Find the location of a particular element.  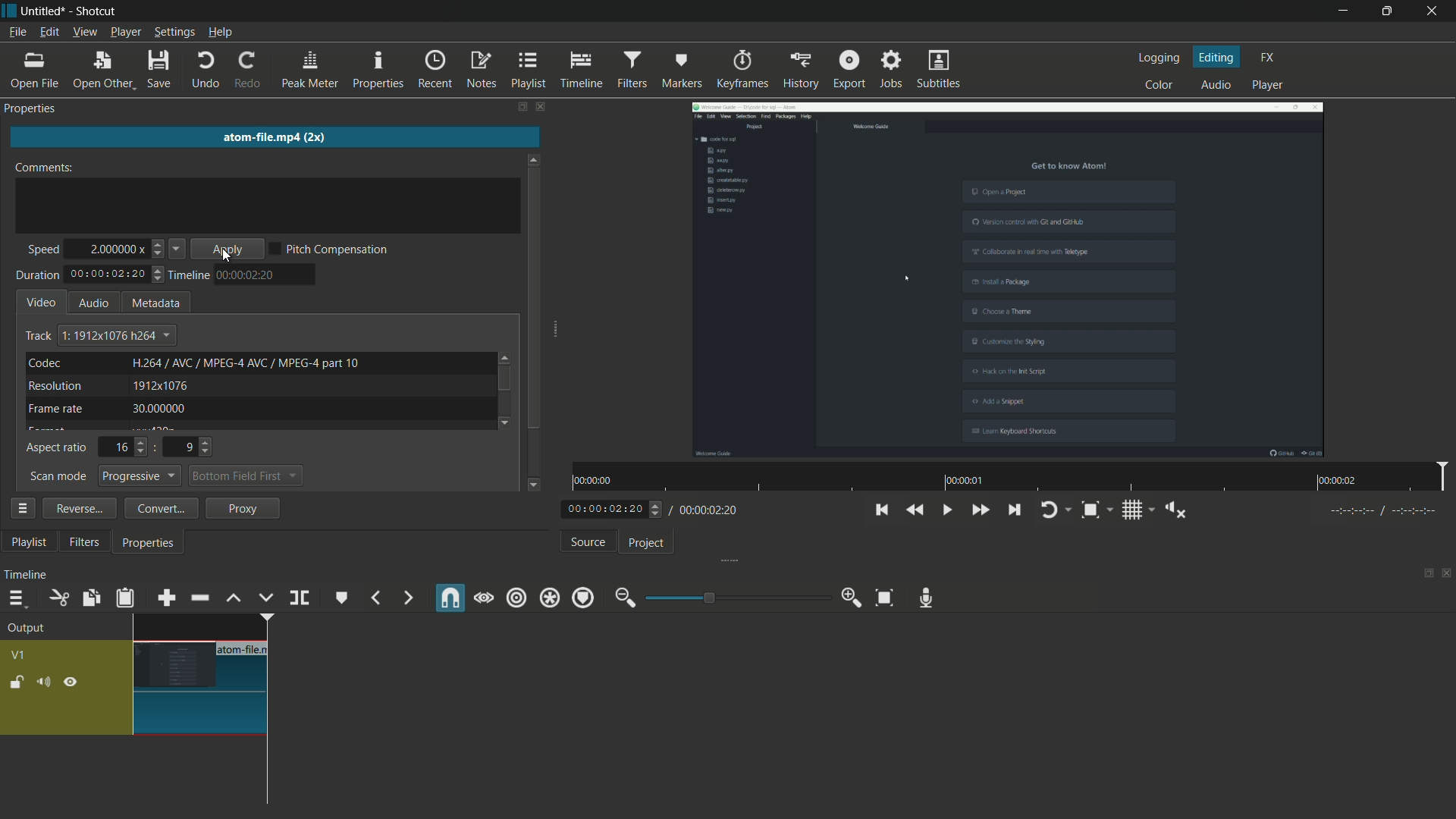

cursor is located at coordinates (229, 256).